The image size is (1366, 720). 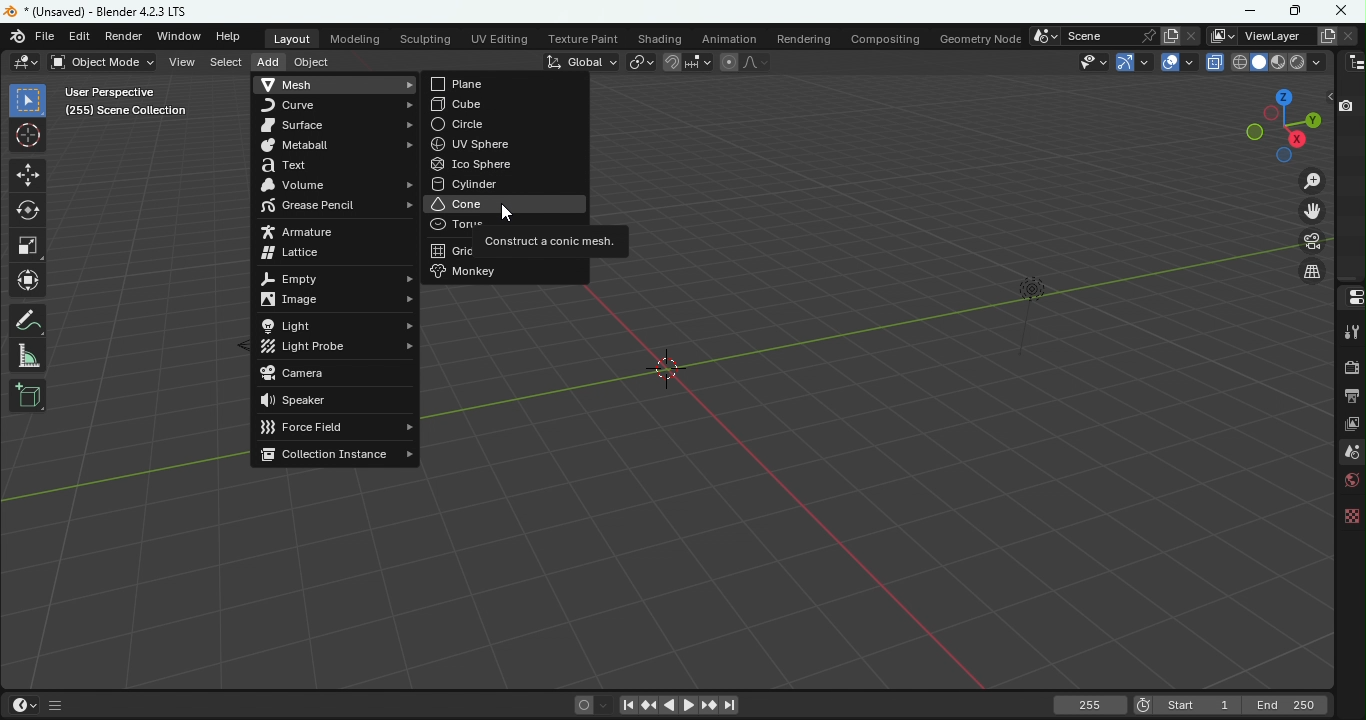 What do you see at coordinates (1284, 156) in the screenshot?
I see `Rotate the scene` at bounding box center [1284, 156].